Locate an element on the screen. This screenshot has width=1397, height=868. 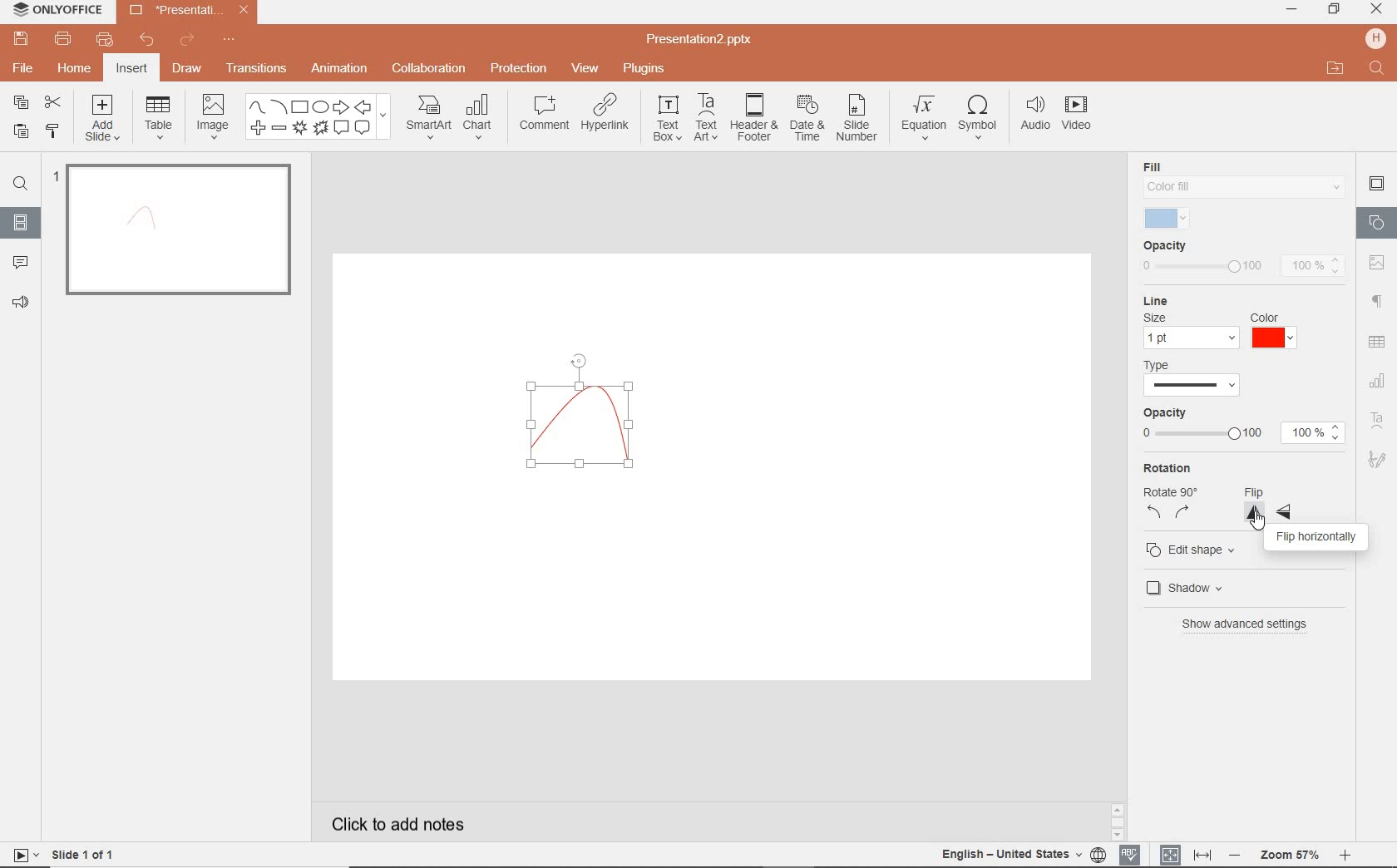
flip vertical is located at coordinates (1249, 504).